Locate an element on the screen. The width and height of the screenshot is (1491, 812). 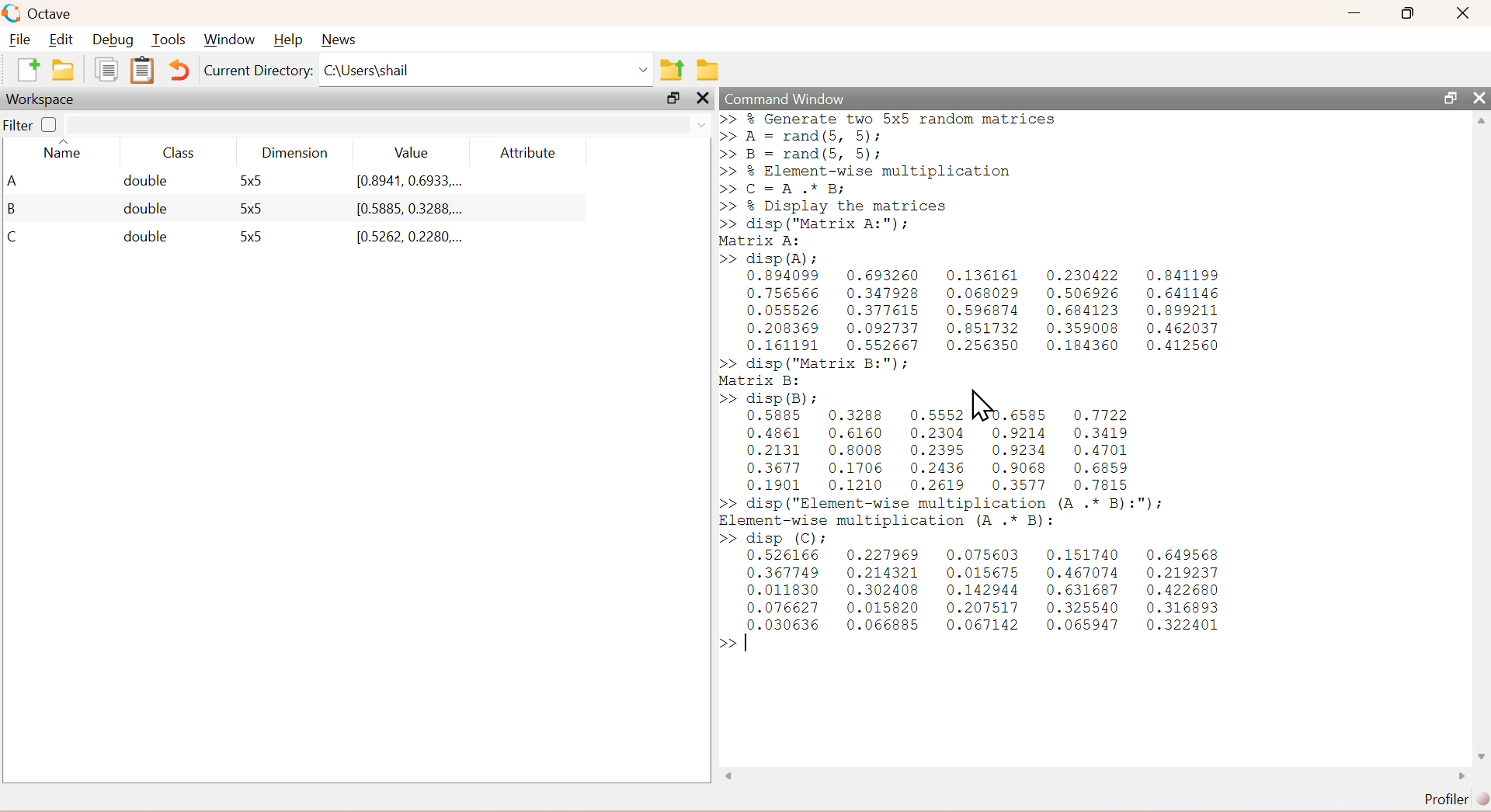
File is located at coordinates (22, 38).